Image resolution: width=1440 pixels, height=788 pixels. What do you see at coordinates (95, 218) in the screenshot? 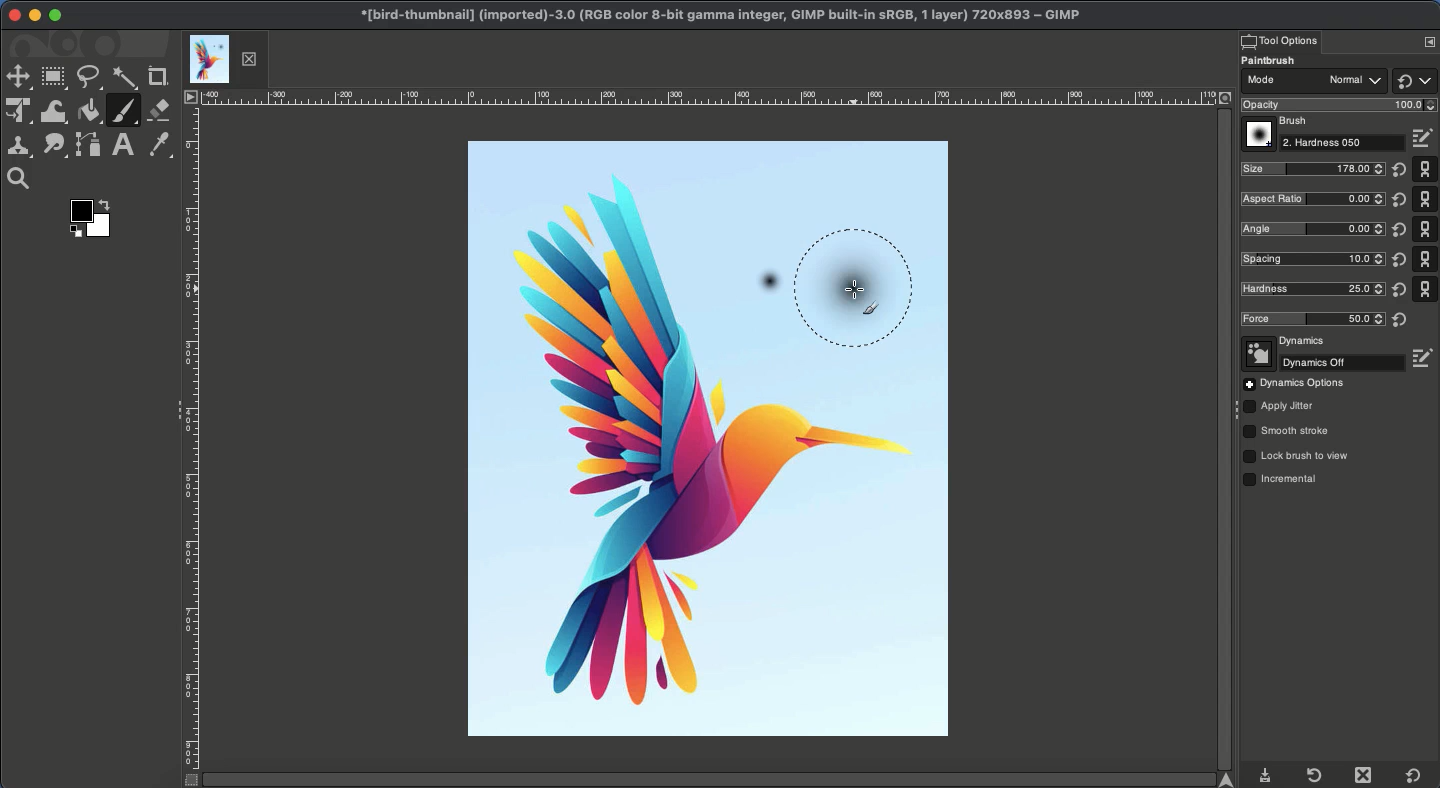
I see `Color` at bounding box center [95, 218].